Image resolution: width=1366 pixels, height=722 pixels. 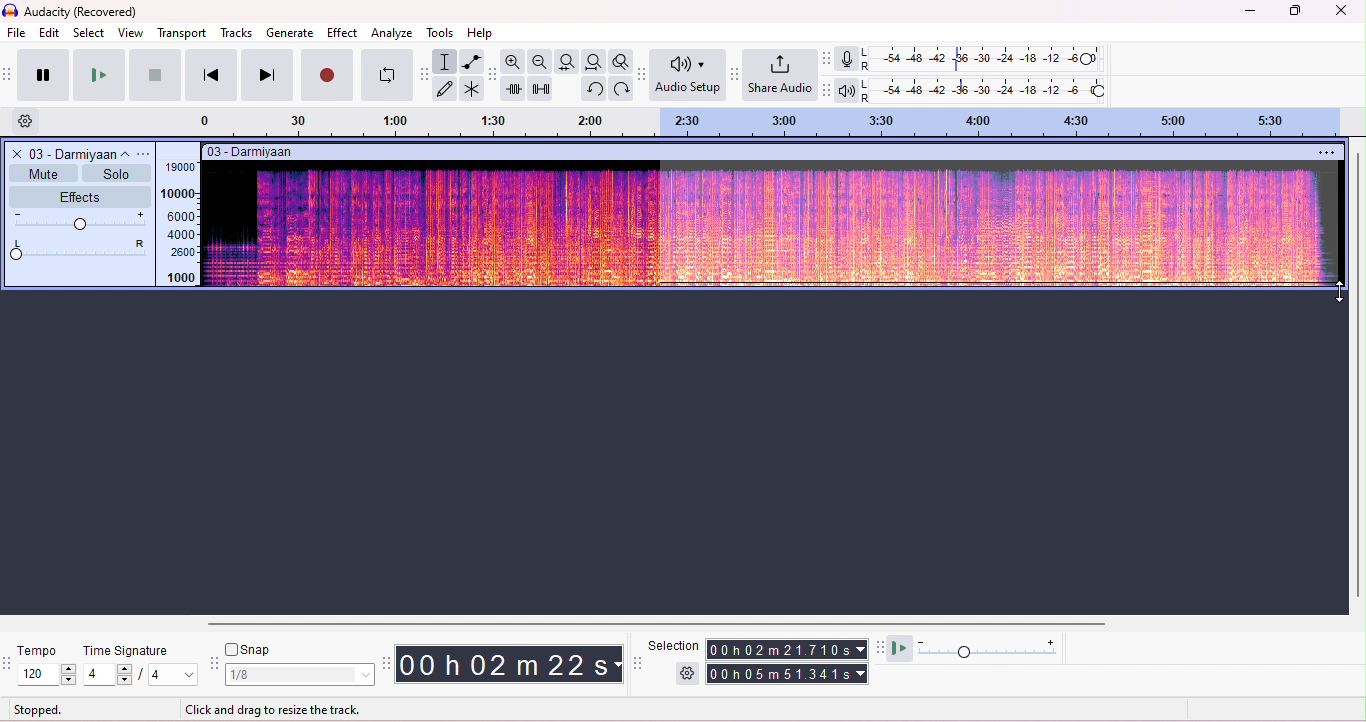 What do you see at coordinates (689, 672) in the screenshot?
I see `selection options` at bounding box center [689, 672].